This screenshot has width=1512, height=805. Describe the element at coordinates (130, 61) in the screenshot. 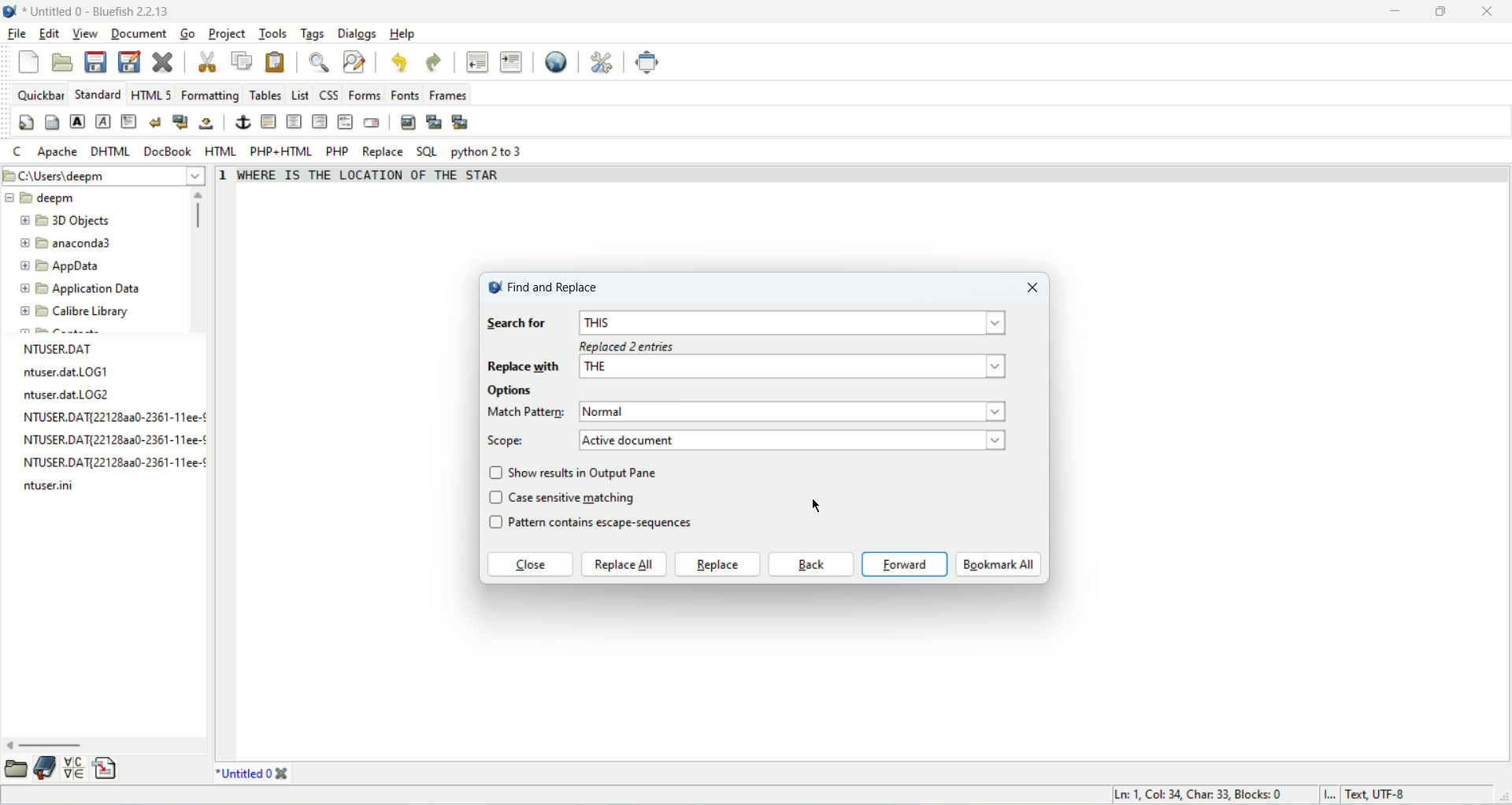

I see `save as` at that location.